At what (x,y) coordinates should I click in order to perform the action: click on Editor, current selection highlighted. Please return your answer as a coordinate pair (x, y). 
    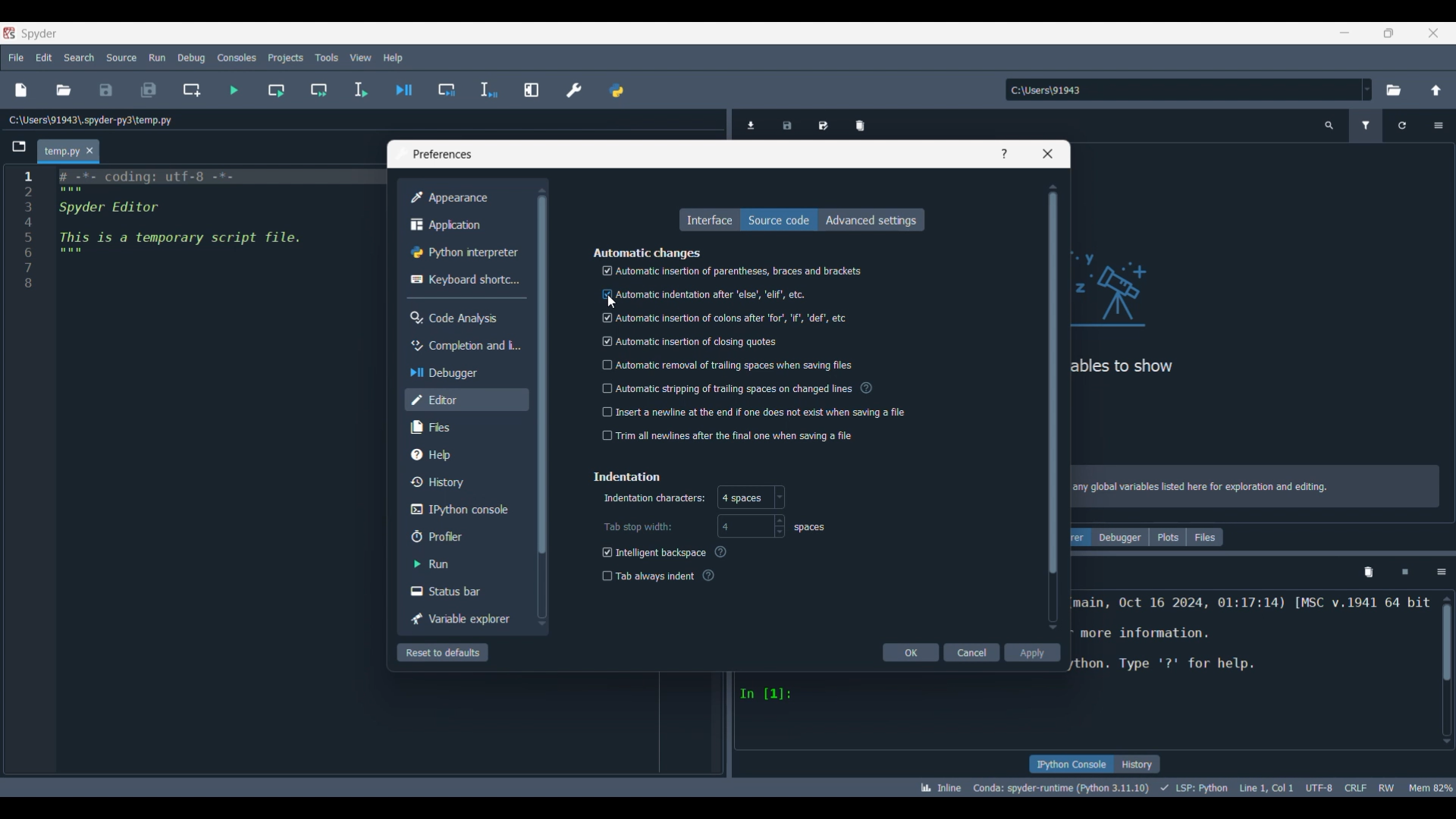
    Looking at the image, I should click on (467, 400).